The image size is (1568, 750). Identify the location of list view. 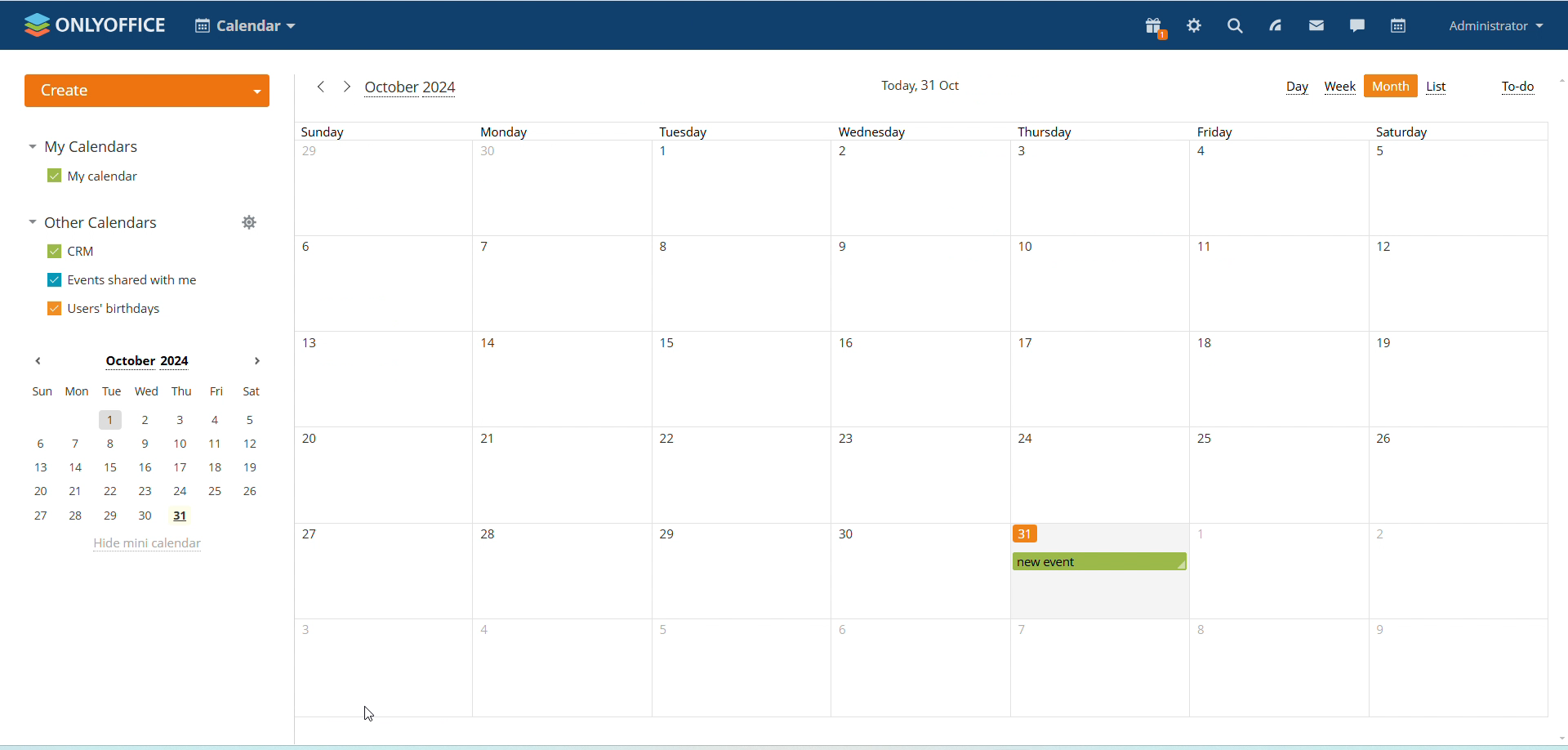
(1437, 88).